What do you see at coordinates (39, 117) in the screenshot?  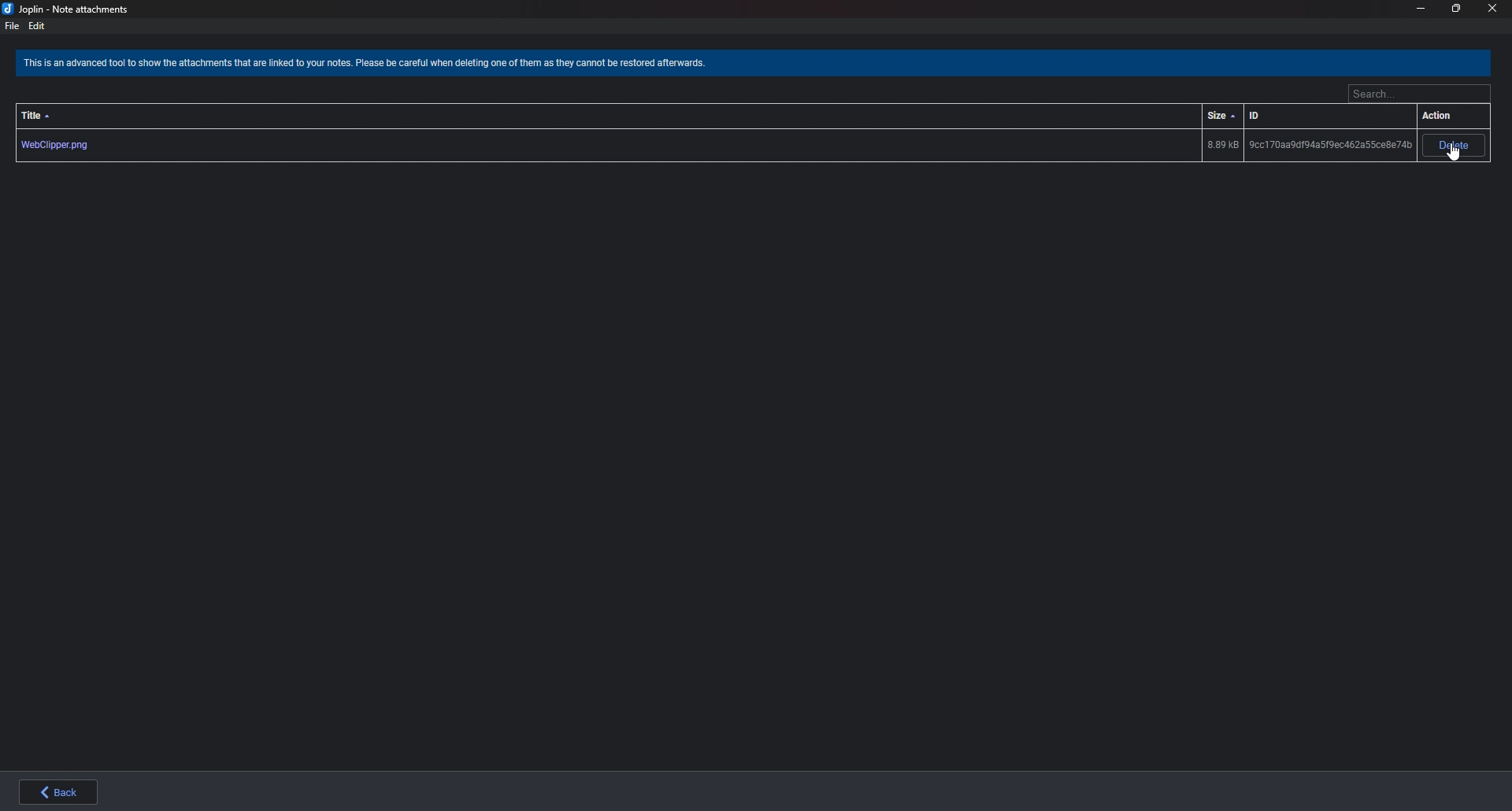 I see `Title` at bounding box center [39, 117].